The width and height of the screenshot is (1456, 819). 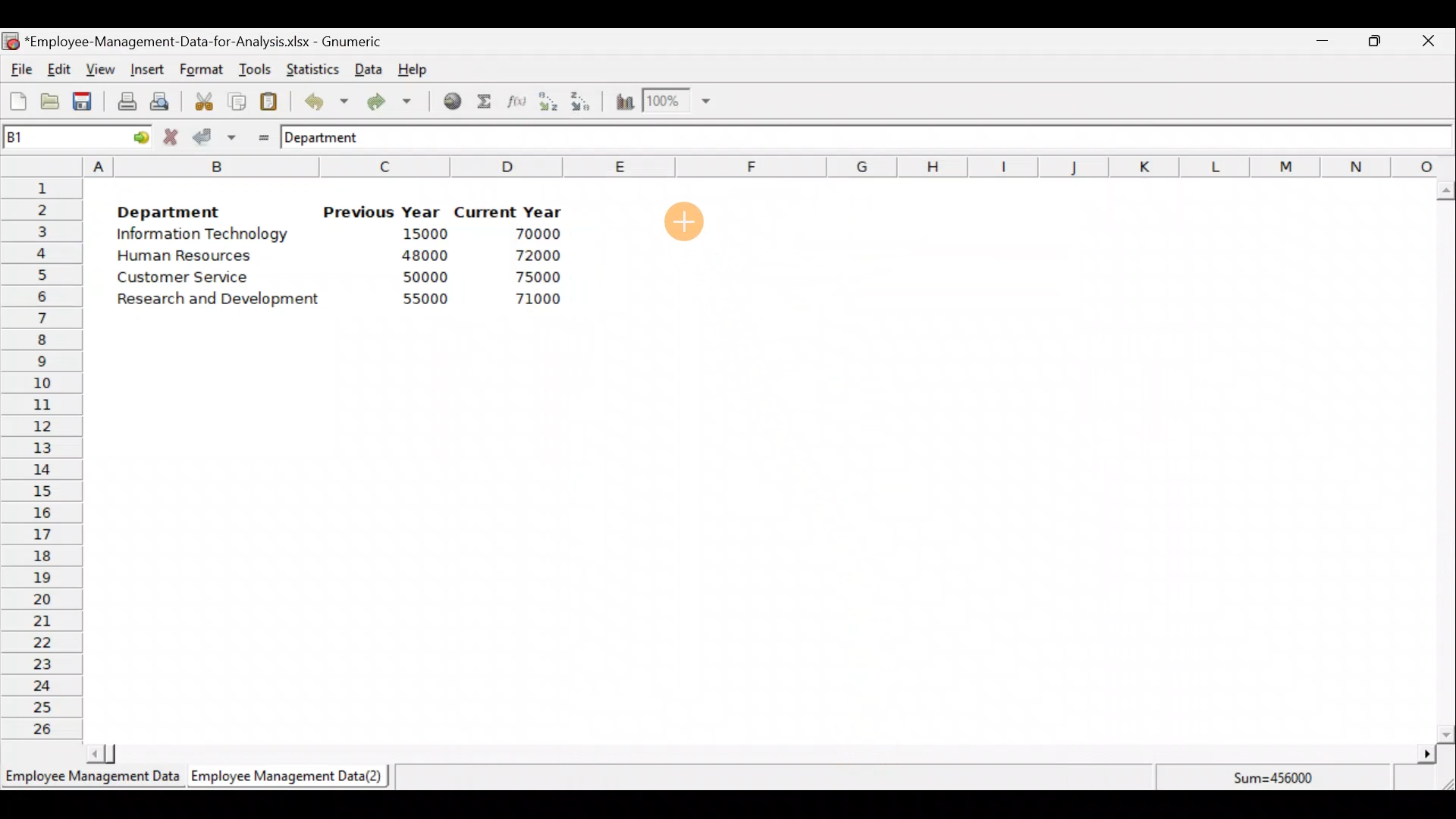 I want to click on Employee Management Data, so click(x=91, y=781).